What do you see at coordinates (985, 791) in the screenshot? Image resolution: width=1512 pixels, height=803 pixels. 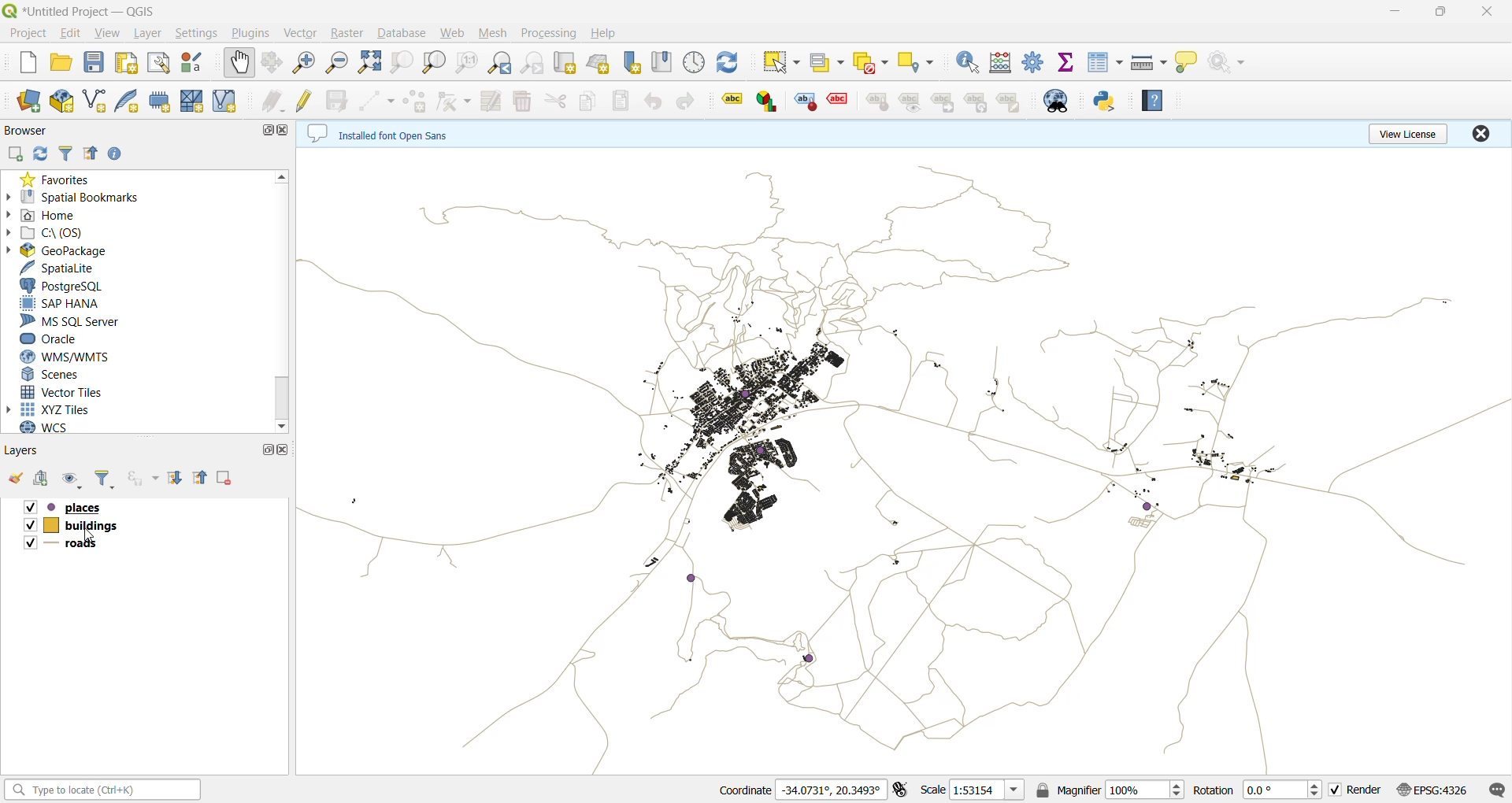 I see `scale` at bounding box center [985, 791].